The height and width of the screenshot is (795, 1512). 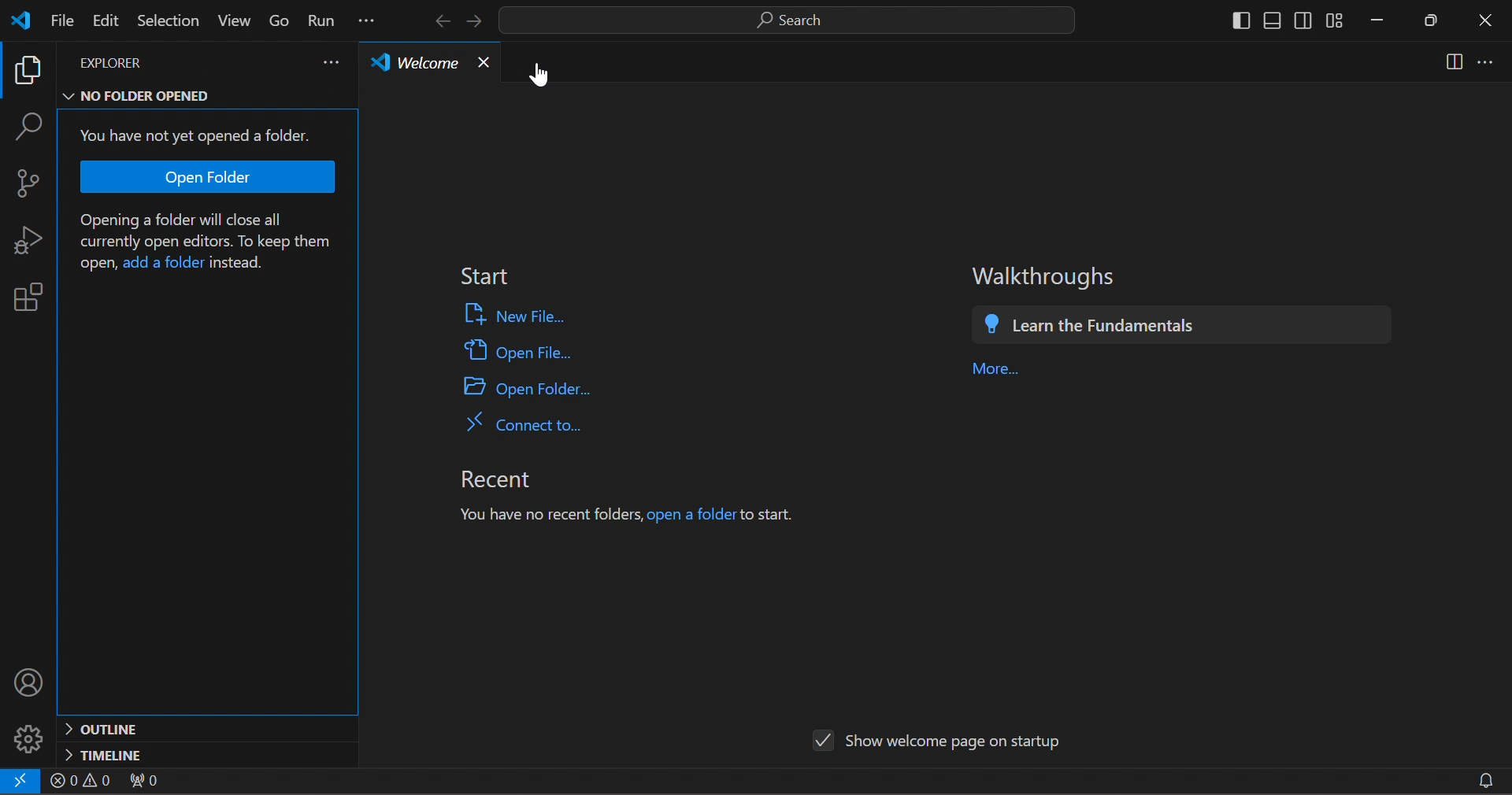 What do you see at coordinates (537, 424) in the screenshot?
I see `connect to` at bounding box center [537, 424].